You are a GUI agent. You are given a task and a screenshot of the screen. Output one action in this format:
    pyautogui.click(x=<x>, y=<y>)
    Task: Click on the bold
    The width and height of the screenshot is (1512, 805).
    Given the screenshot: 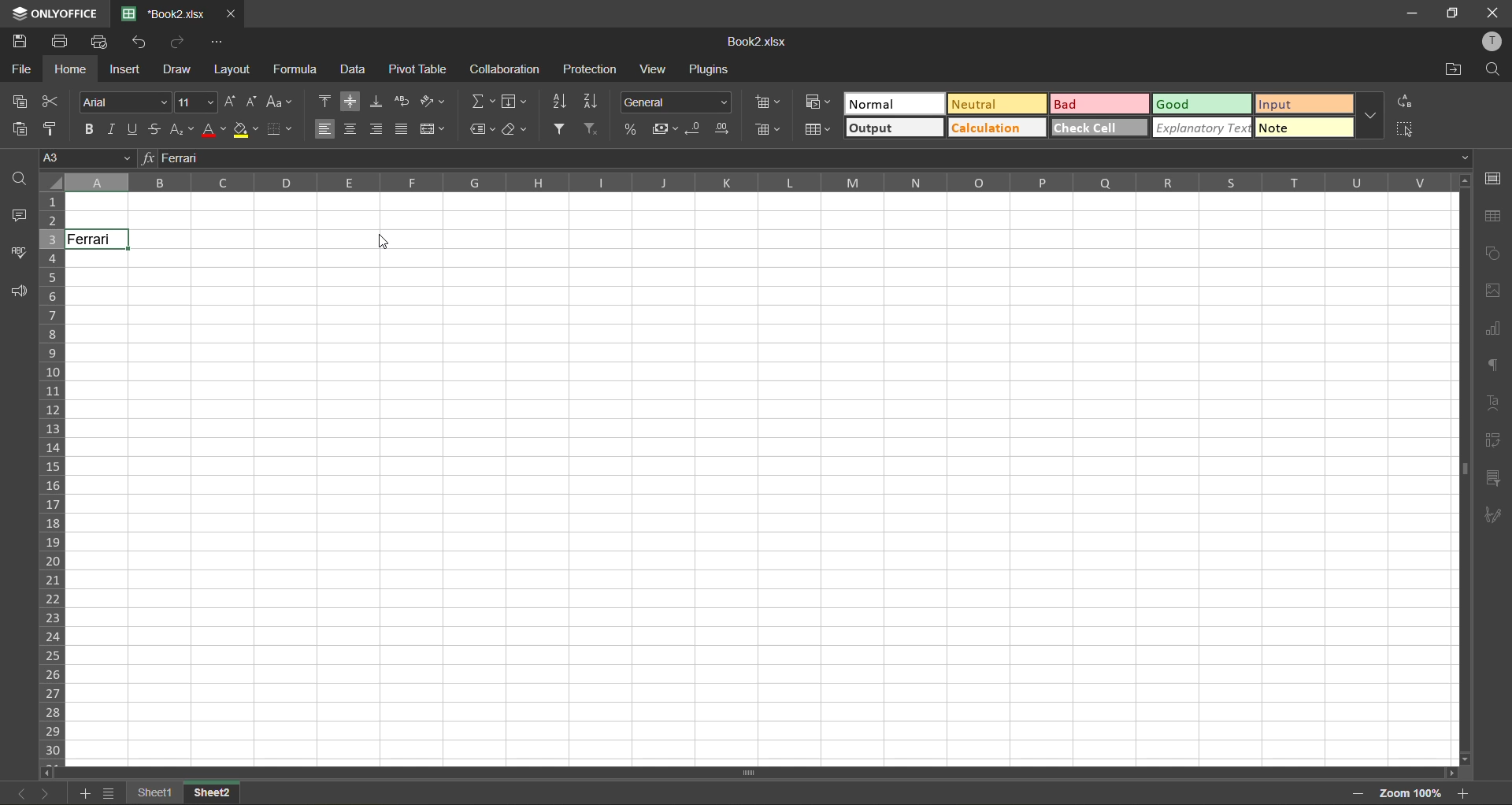 What is the action you would take?
    pyautogui.click(x=87, y=129)
    